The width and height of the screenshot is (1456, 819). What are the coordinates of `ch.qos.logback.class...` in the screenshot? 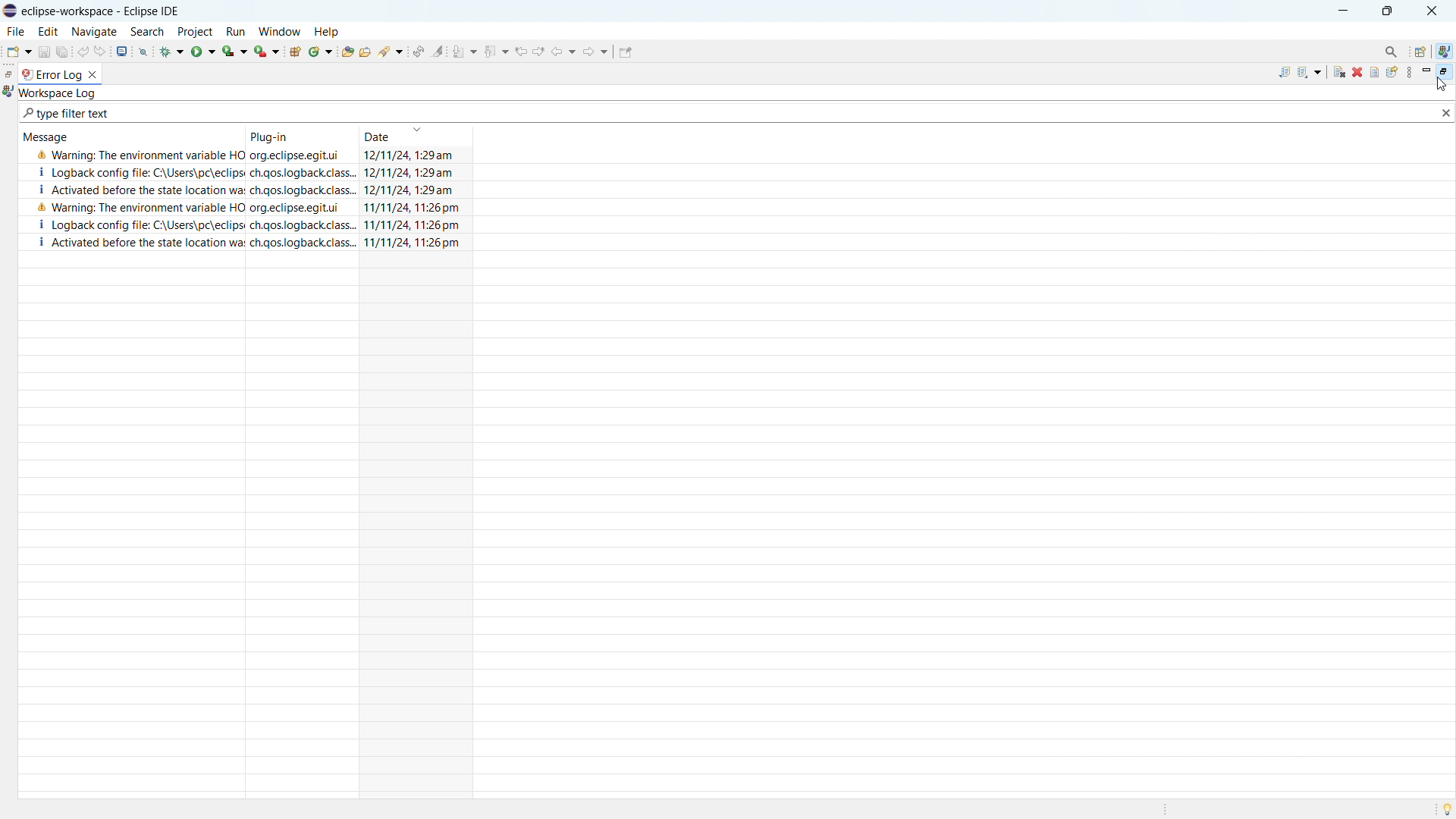 It's located at (305, 225).